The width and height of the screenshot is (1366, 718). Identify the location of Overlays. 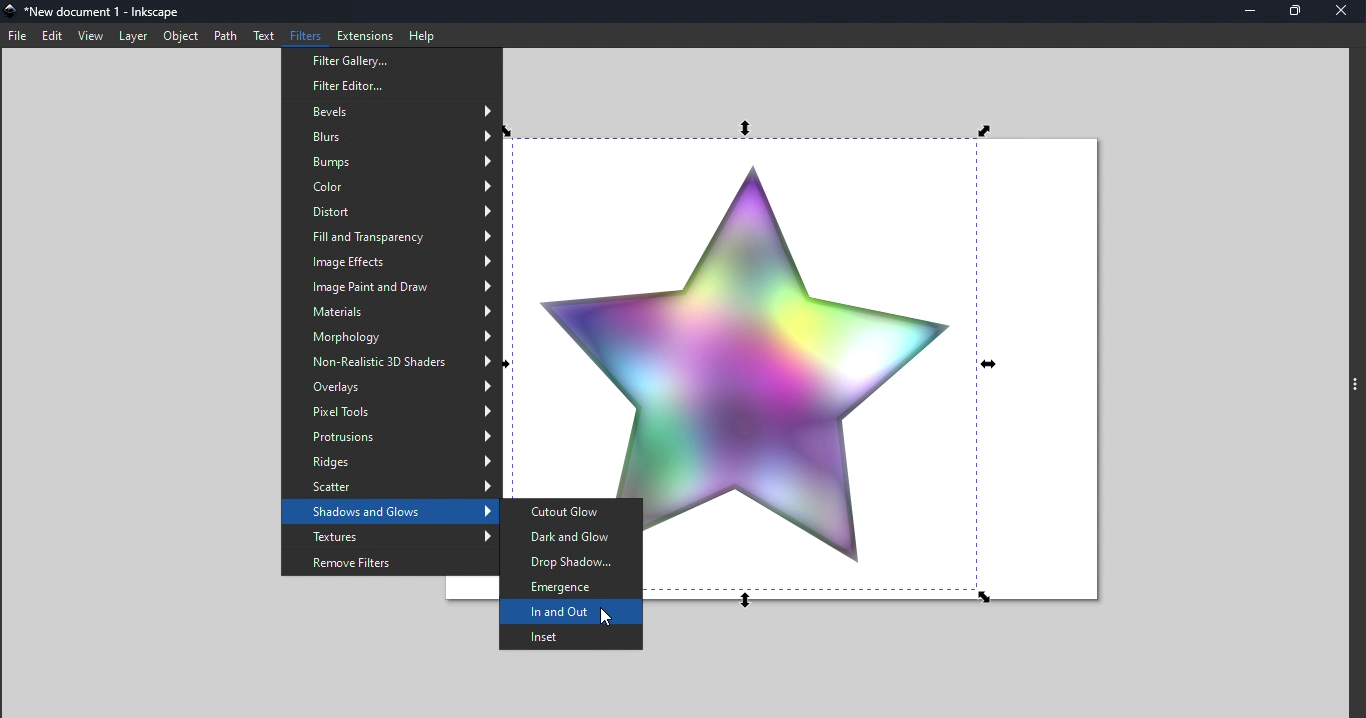
(389, 386).